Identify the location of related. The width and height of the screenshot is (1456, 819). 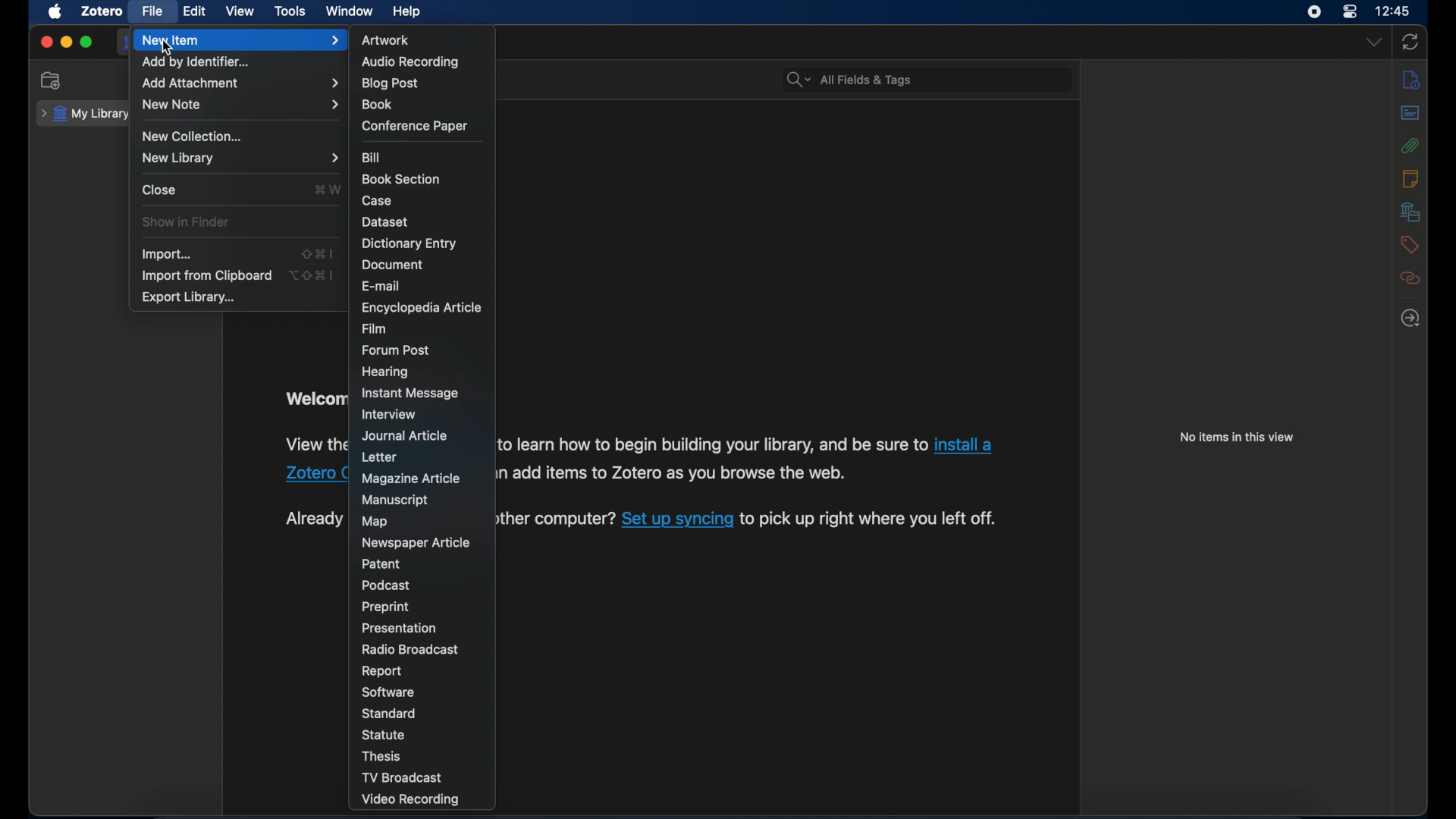
(1410, 278).